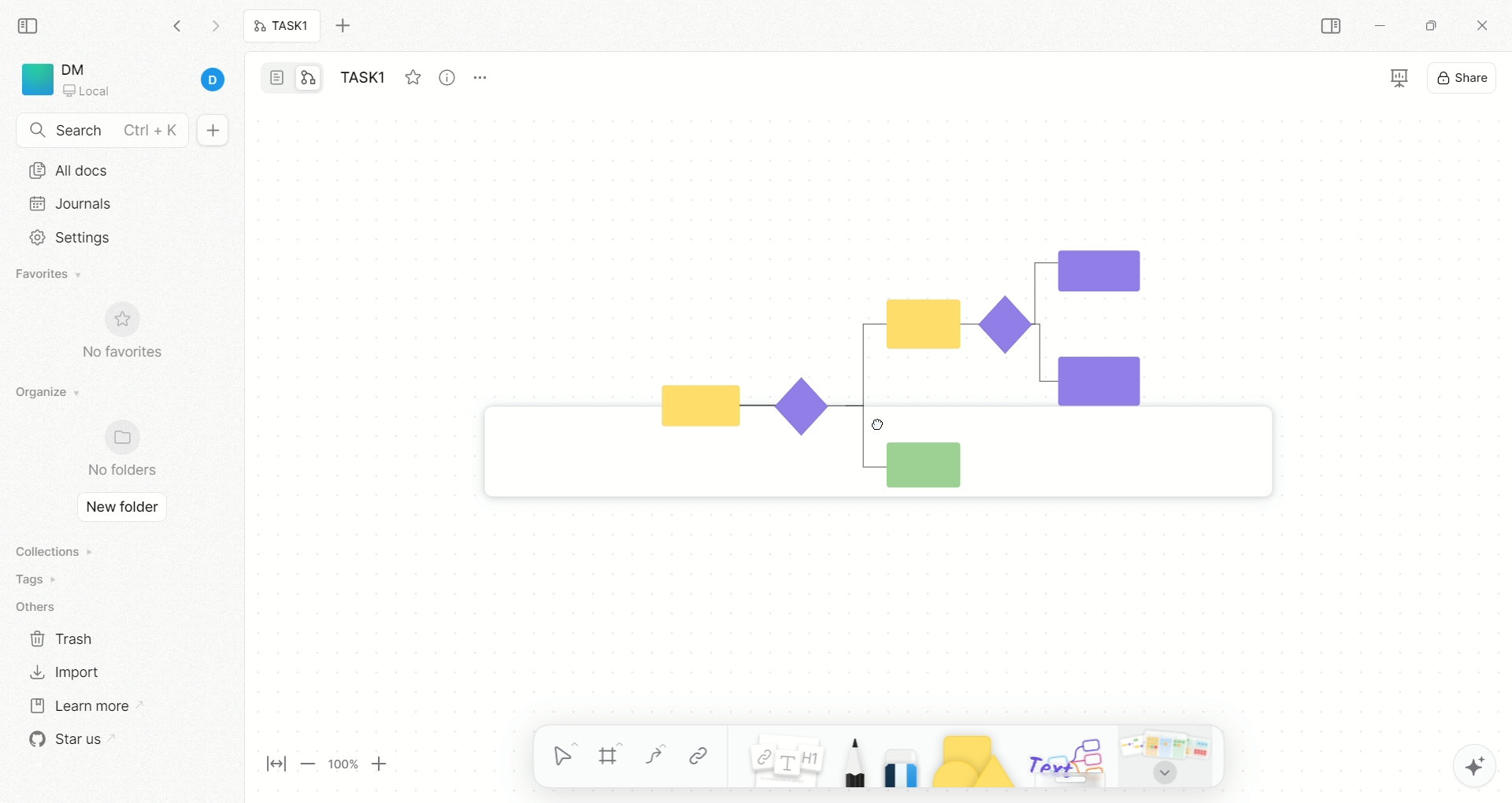 The width and height of the screenshot is (1512, 803). Describe the element at coordinates (31, 579) in the screenshot. I see `tags` at that location.